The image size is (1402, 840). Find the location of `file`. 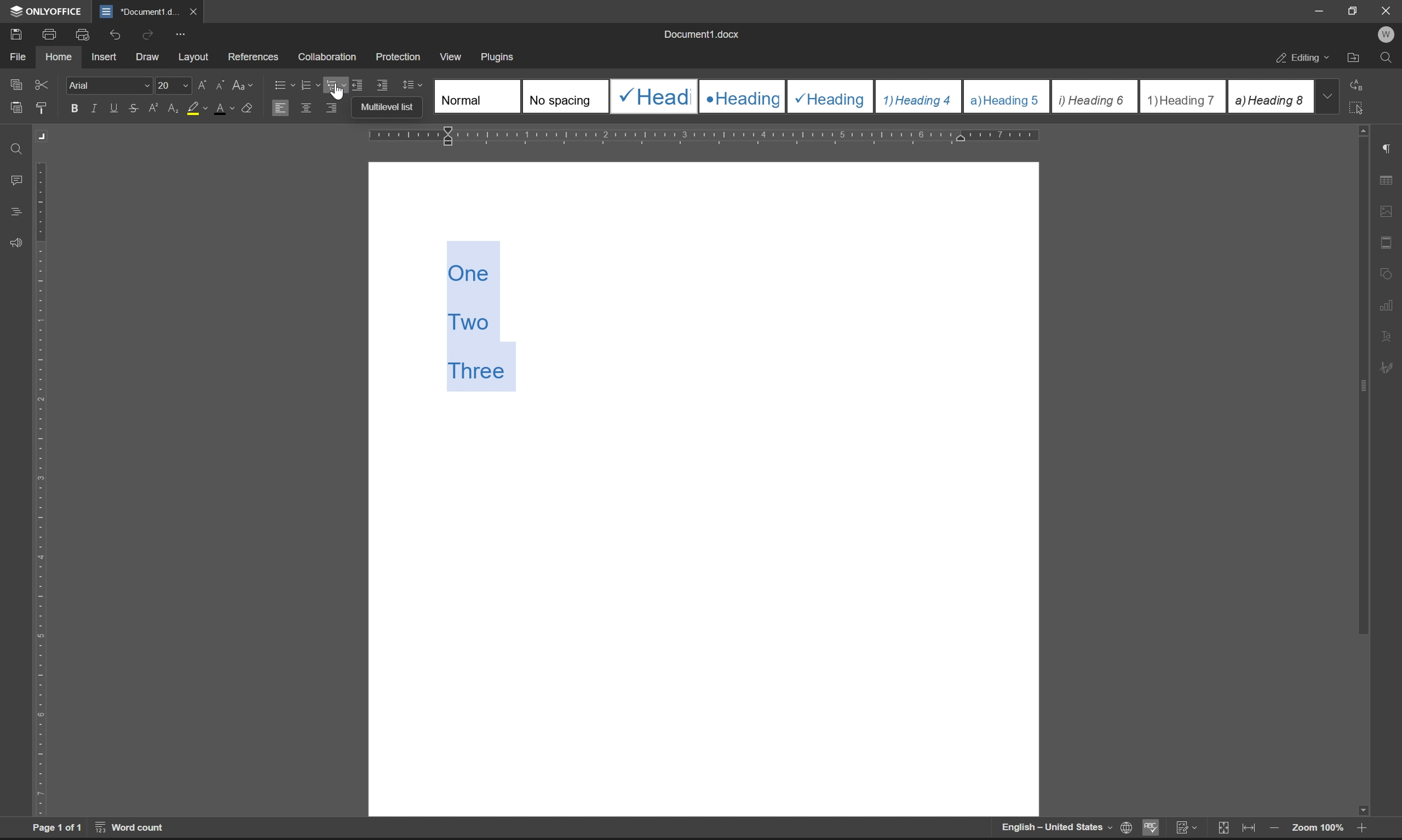

file is located at coordinates (17, 57).